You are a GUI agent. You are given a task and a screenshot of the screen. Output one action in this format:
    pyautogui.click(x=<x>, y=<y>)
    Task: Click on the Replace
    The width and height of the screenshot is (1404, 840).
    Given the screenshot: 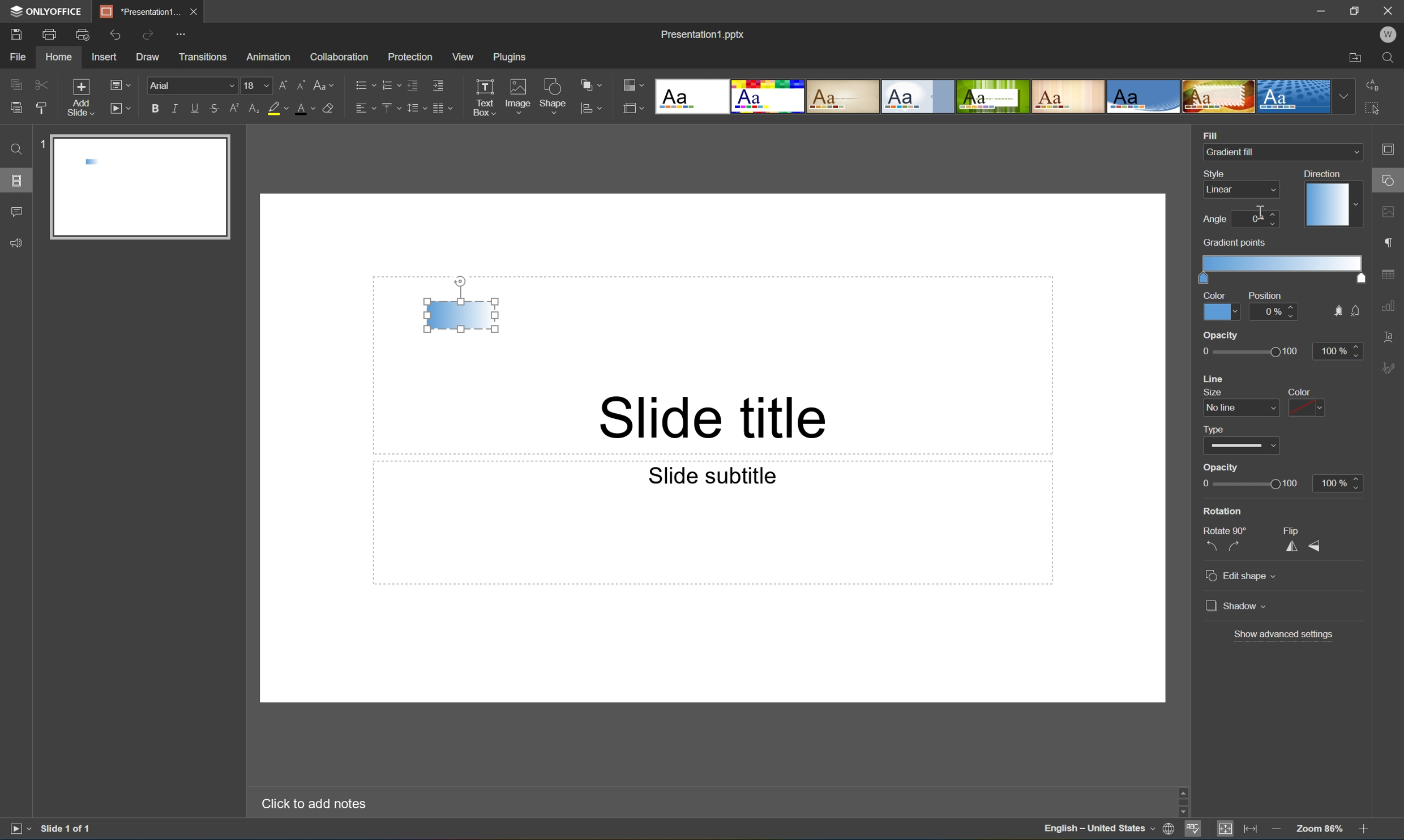 What is the action you would take?
    pyautogui.click(x=1372, y=83)
    